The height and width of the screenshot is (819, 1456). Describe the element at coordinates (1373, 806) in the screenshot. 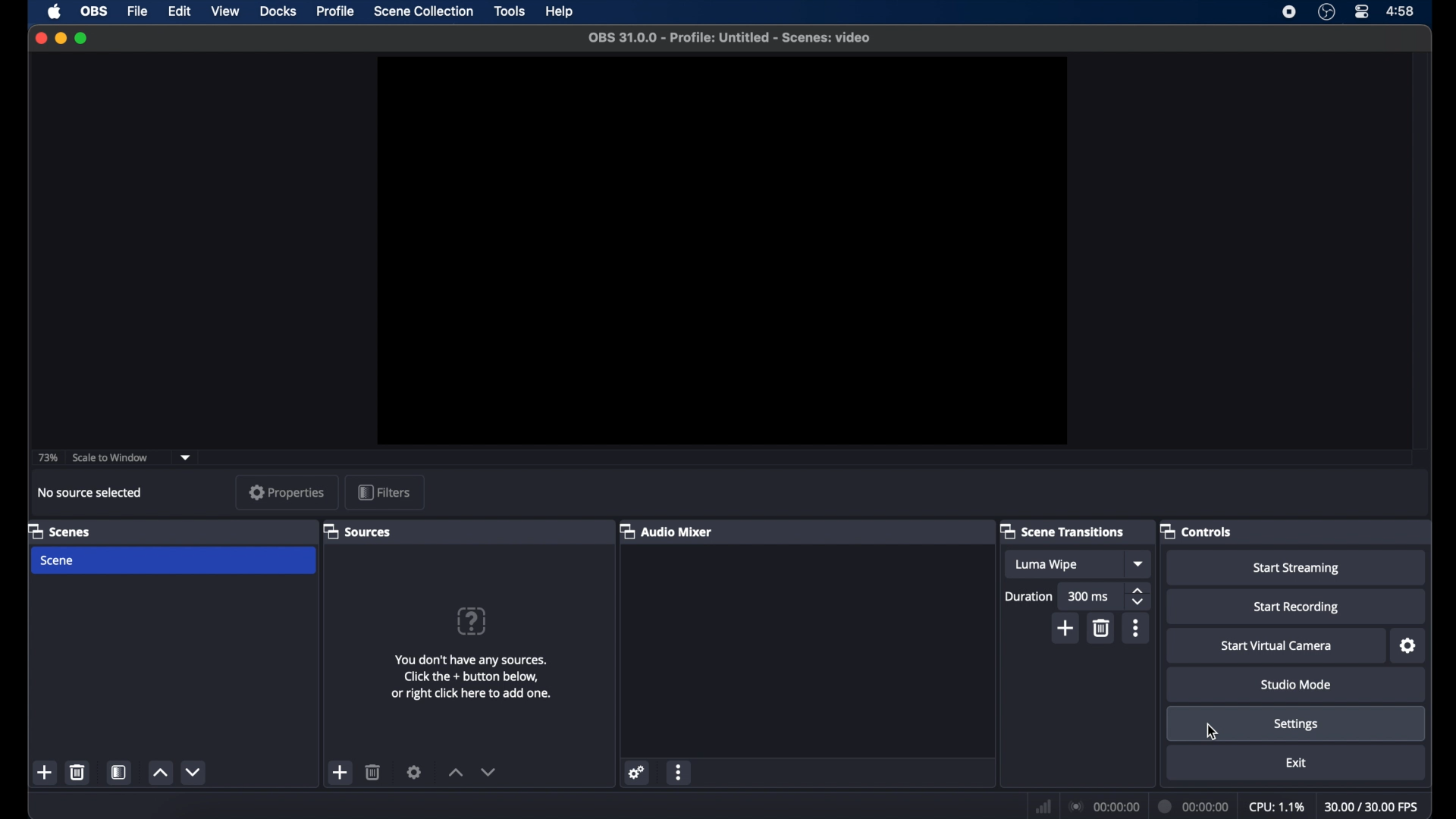

I see `30.00/30.00 fps` at that location.